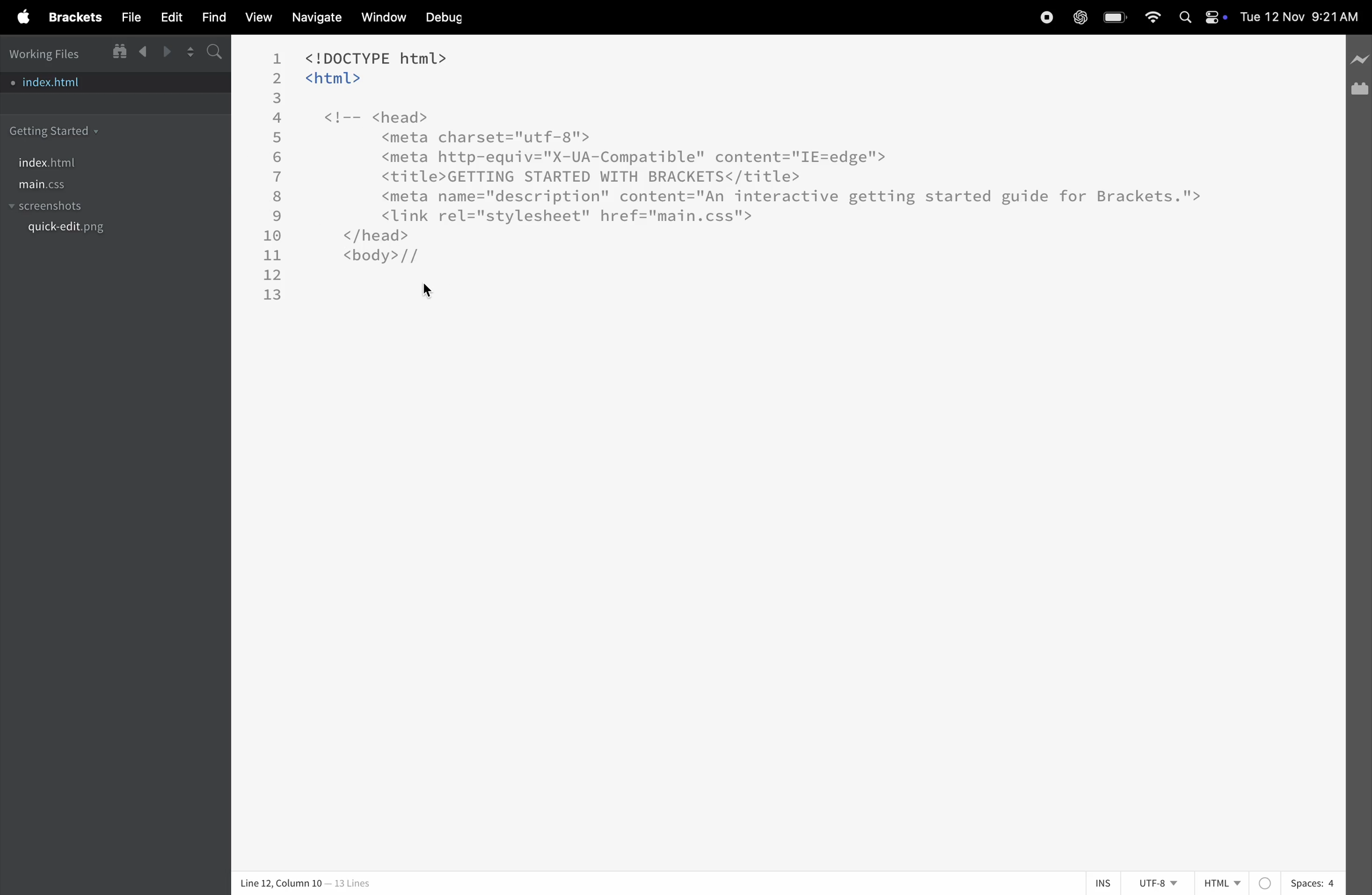 Image resolution: width=1372 pixels, height=895 pixels. Describe the element at coordinates (1095, 883) in the screenshot. I see `ins` at that location.